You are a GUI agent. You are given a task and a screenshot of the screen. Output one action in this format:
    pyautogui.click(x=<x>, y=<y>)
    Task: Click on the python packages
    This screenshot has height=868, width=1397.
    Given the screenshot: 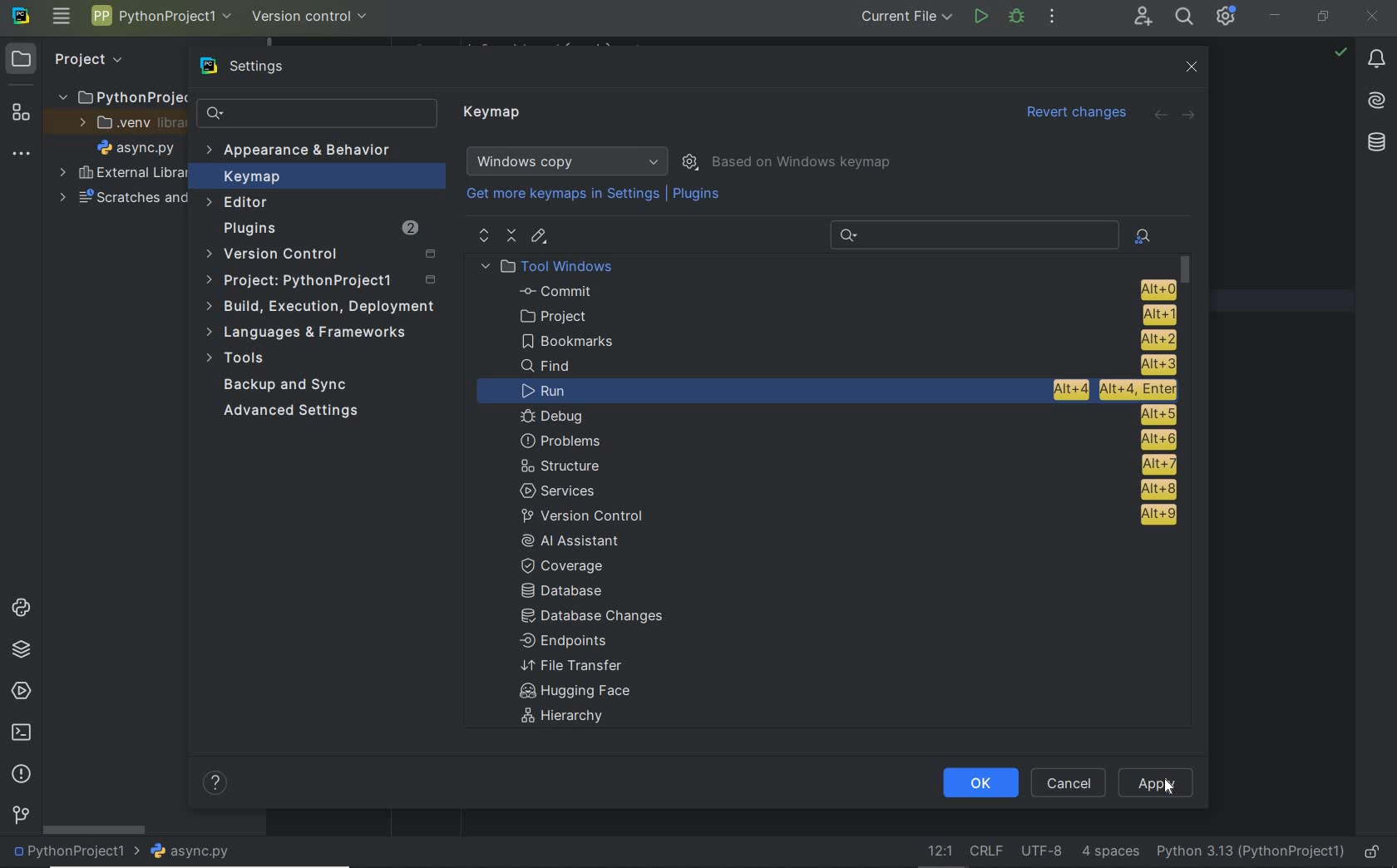 What is the action you would take?
    pyautogui.click(x=20, y=650)
    